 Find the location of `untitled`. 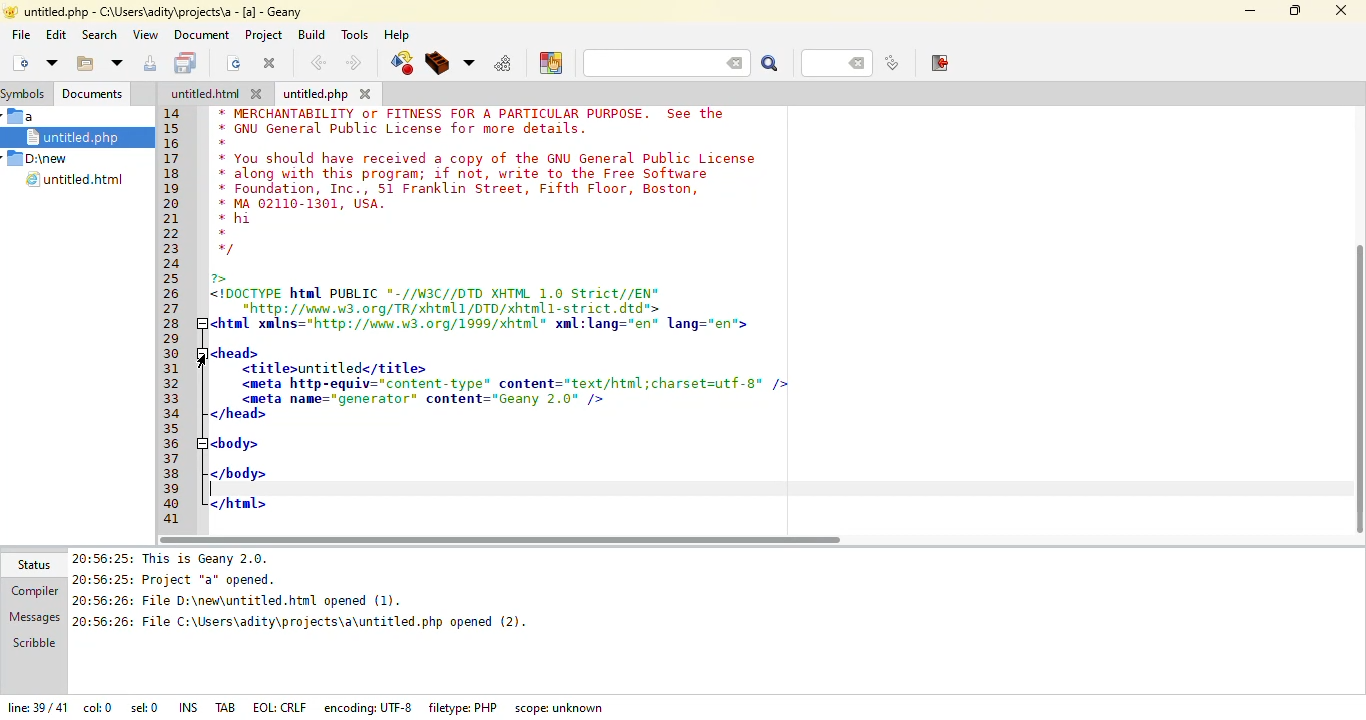

untitled is located at coordinates (203, 93).